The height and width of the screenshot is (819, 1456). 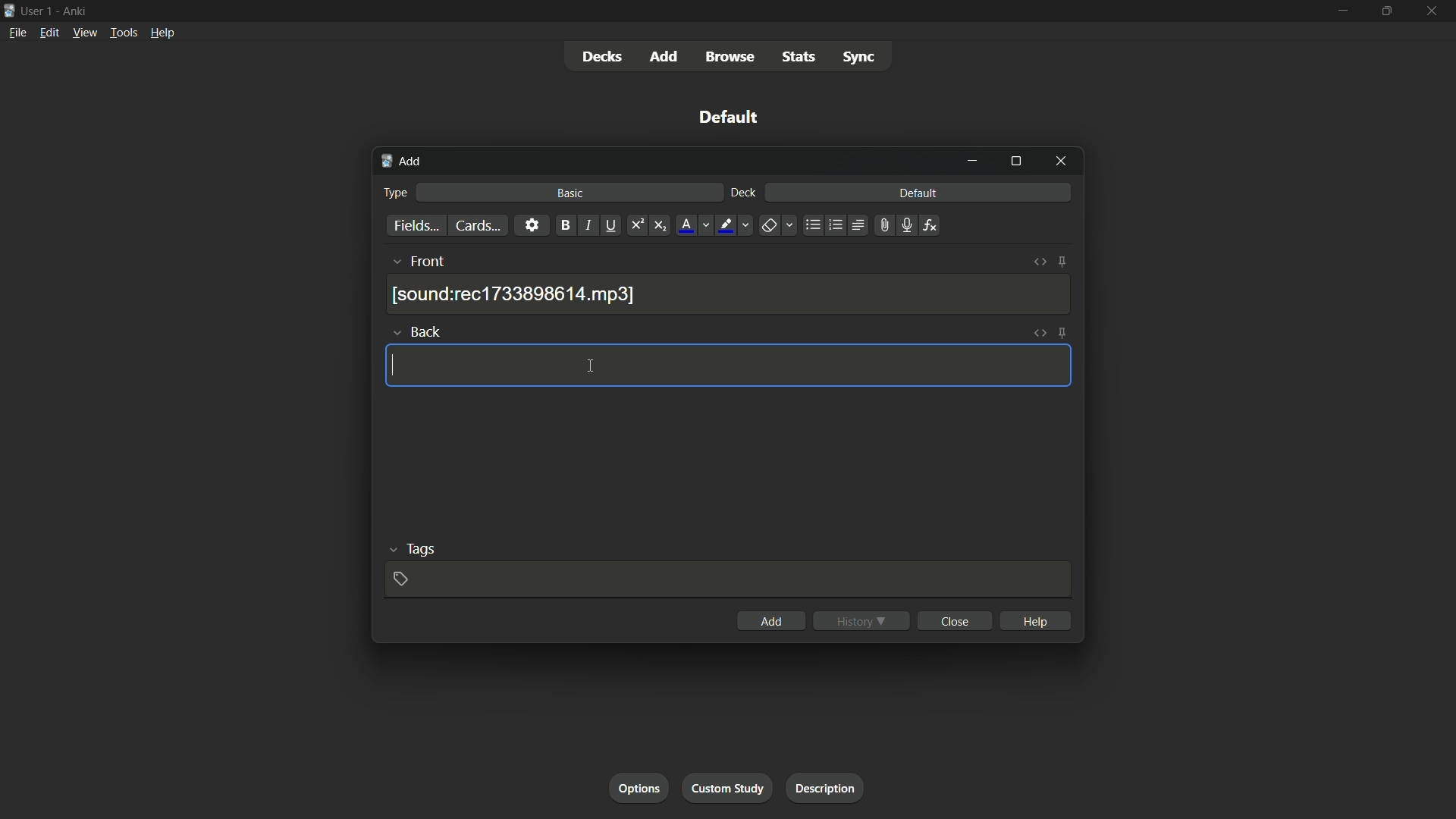 I want to click on underline, so click(x=613, y=225).